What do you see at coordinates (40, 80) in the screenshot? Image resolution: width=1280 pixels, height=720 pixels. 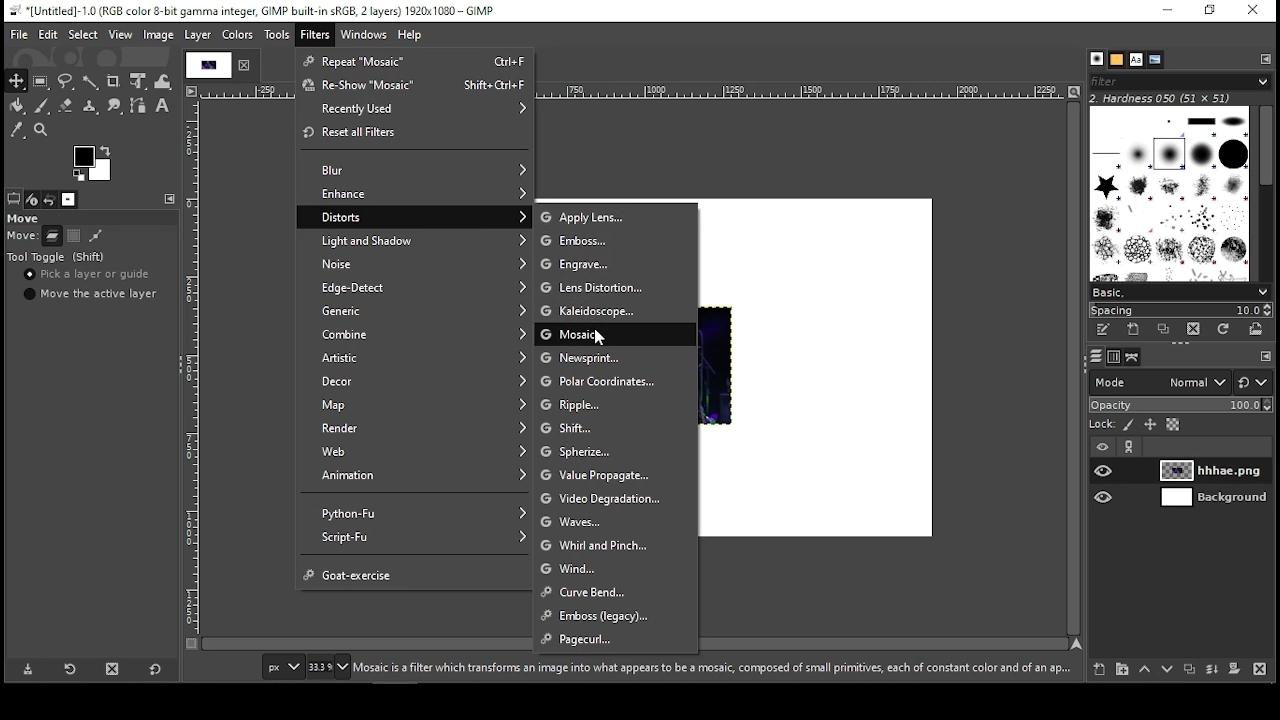 I see `rectangular selection tool` at bounding box center [40, 80].